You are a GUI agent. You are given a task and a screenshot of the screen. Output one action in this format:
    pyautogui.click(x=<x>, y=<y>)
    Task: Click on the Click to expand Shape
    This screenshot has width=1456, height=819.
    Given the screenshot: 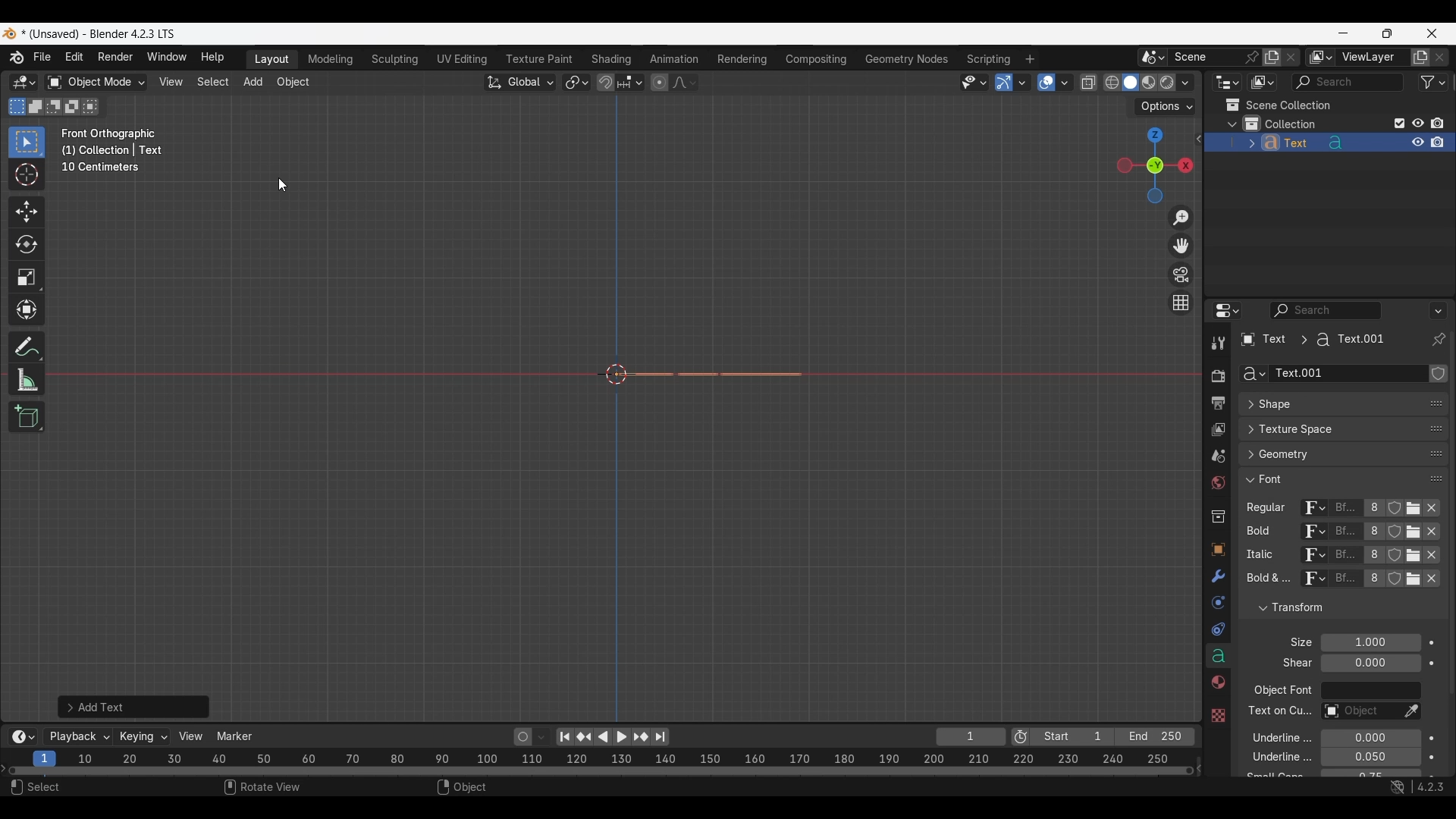 What is the action you would take?
    pyautogui.click(x=1327, y=405)
    